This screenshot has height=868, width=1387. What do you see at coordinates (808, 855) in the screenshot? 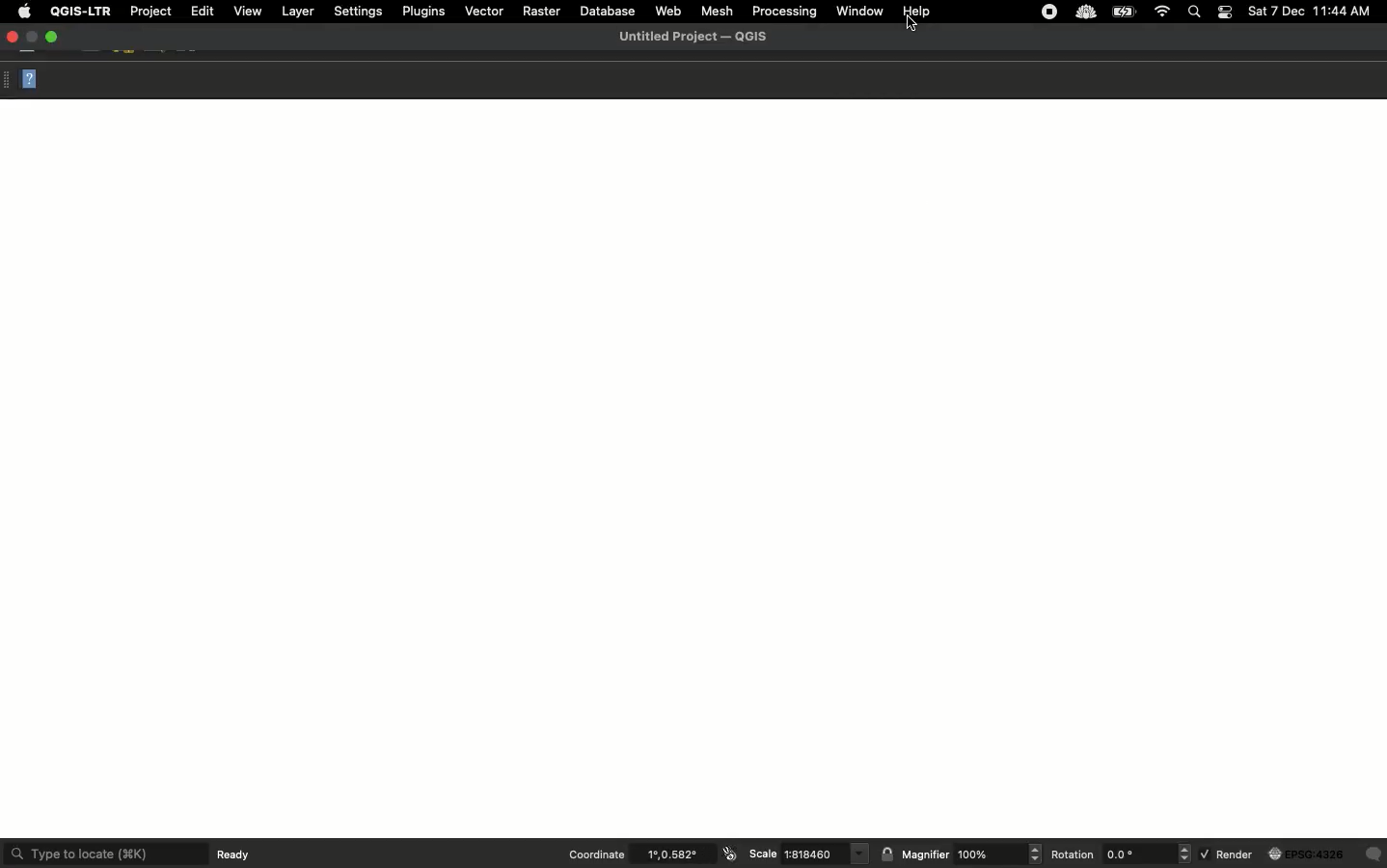
I see `Scale` at bounding box center [808, 855].